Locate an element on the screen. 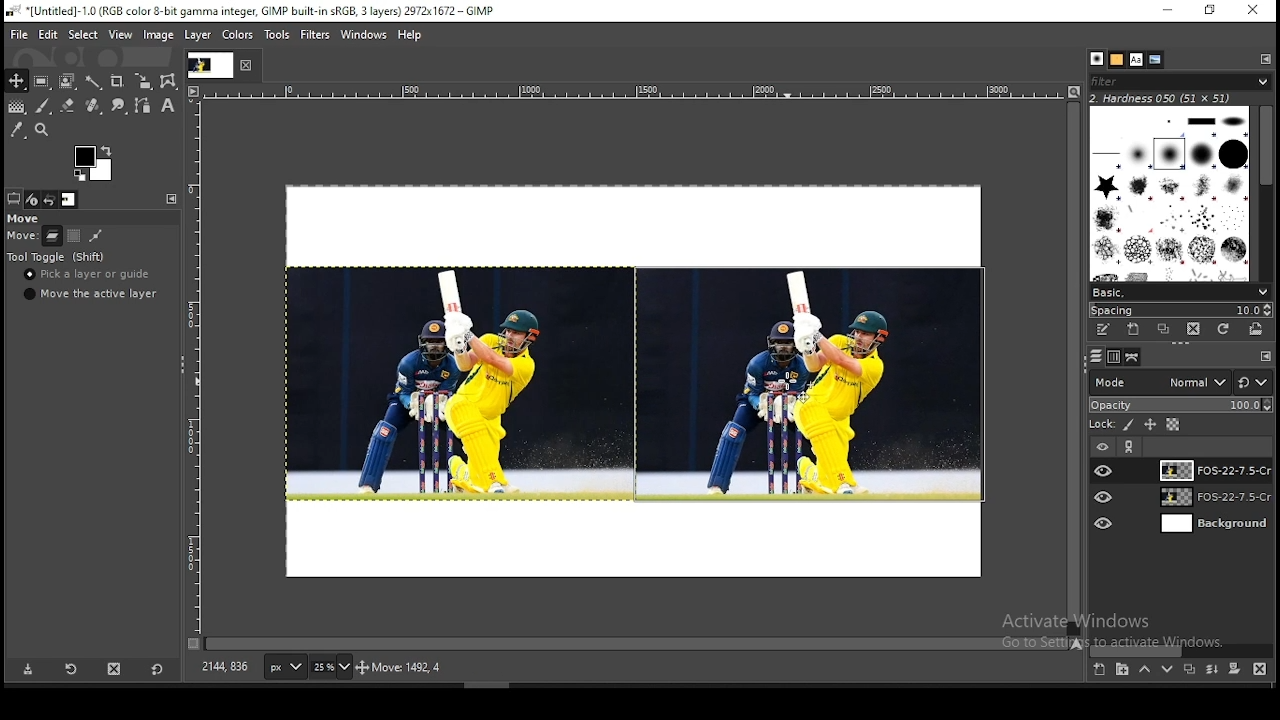 Image resolution: width=1280 pixels, height=720 pixels. units is located at coordinates (285, 668).